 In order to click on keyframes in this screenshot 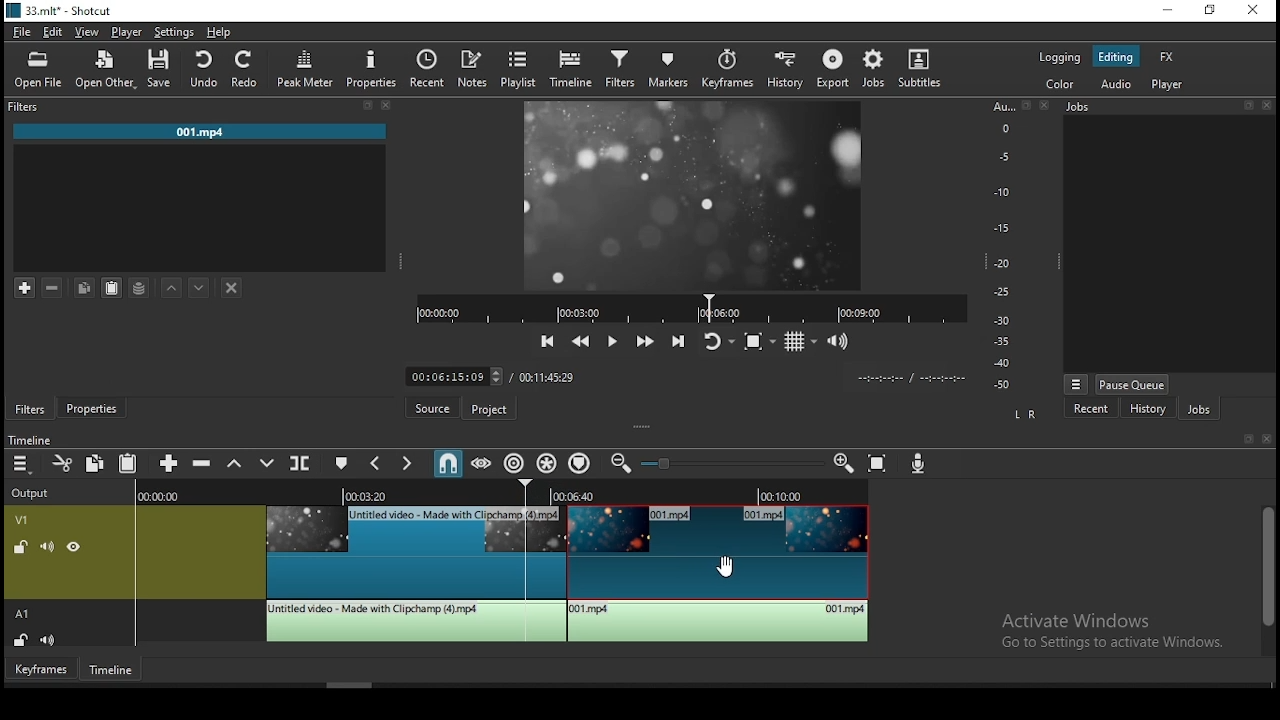, I will do `click(727, 68)`.